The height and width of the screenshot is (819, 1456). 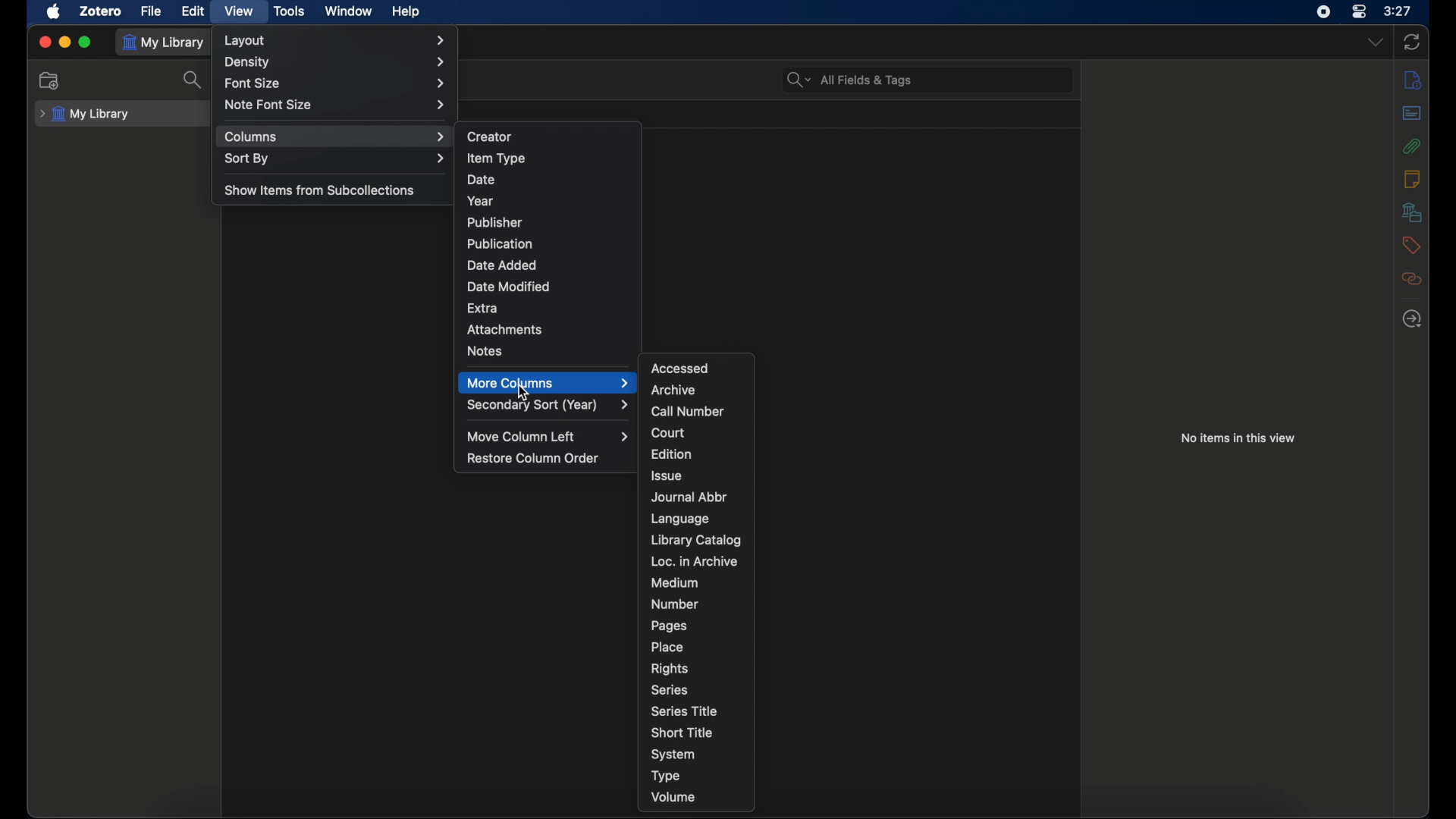 What do you see at coordinates (549, 383) in the screenshot?
I see `more columns` at bounding box center [549, 383].